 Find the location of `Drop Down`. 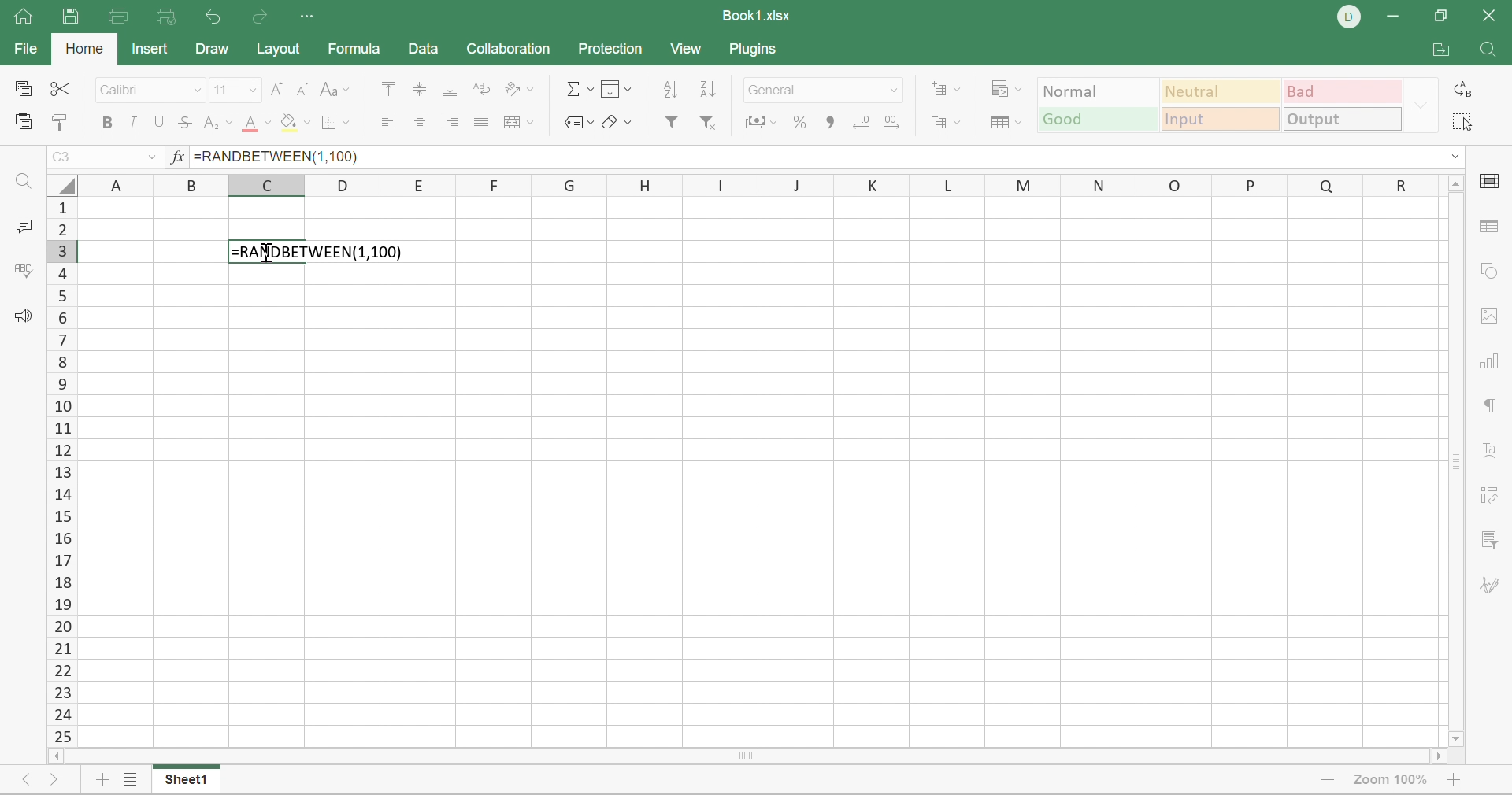

Drop Down is located at coordinates (1451, 155).